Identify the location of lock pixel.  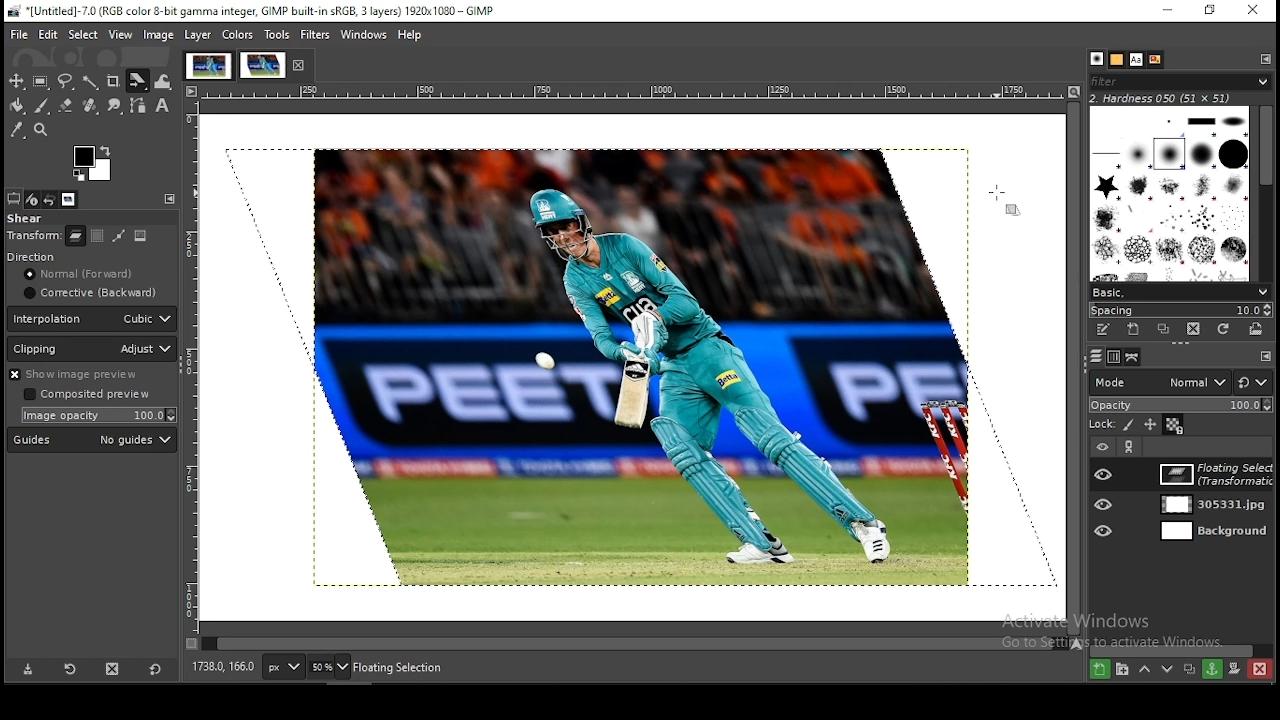
(1129, 427).